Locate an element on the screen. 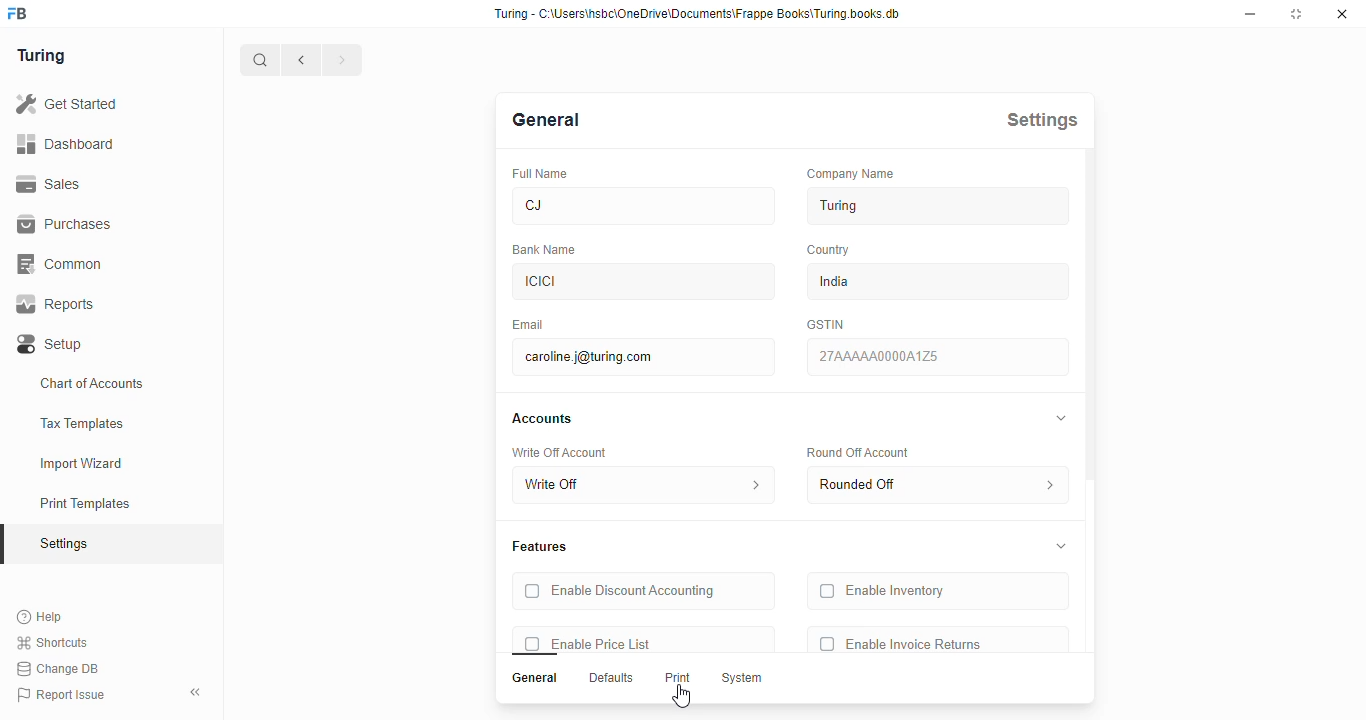  CJ is located at coordinates (642, 204).